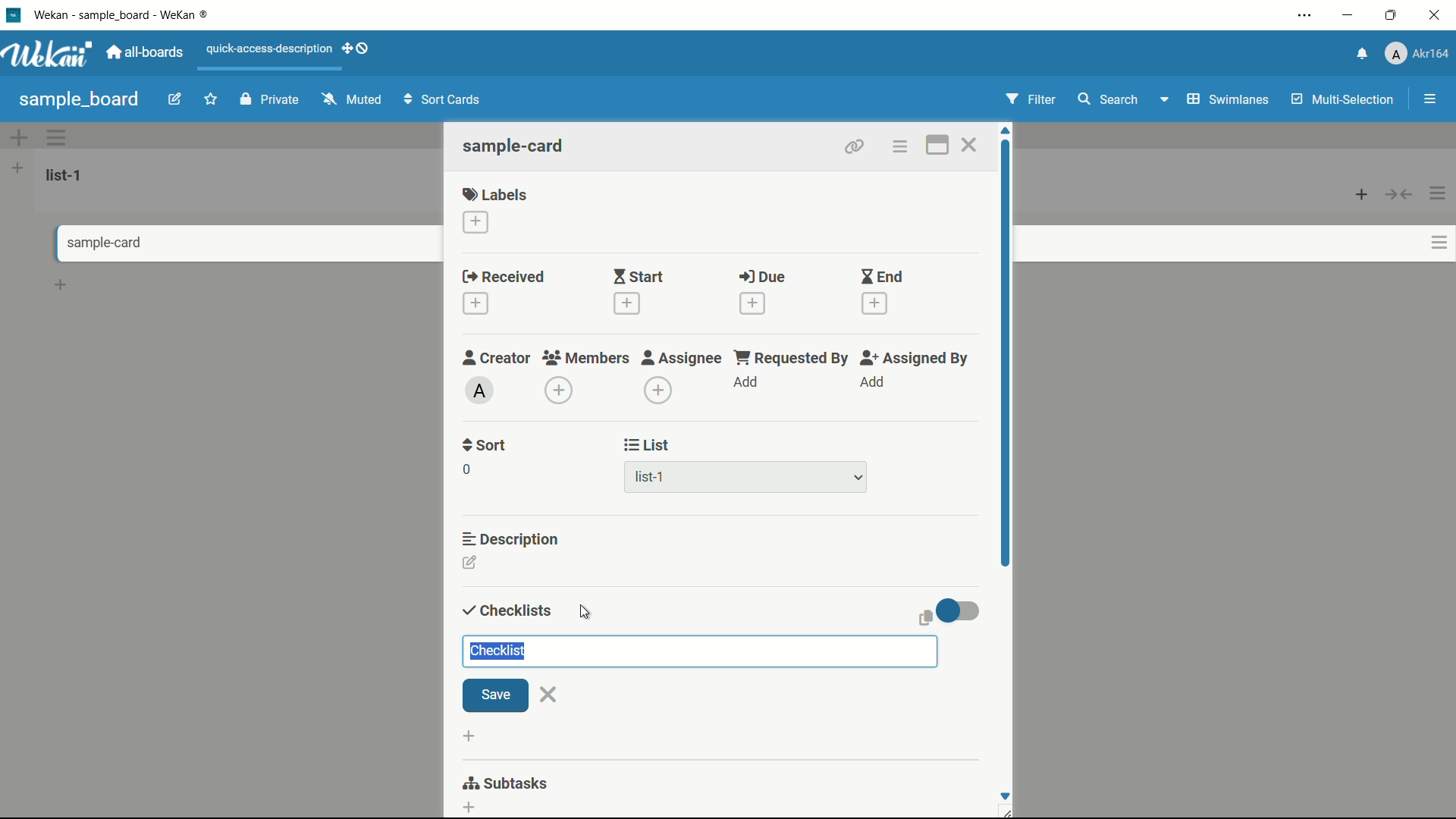 The width and height of the screenshot is (1456, 819). Describe the element at coordinates (270, 49) in the screenshot. I see `quick-access-description` at that location.